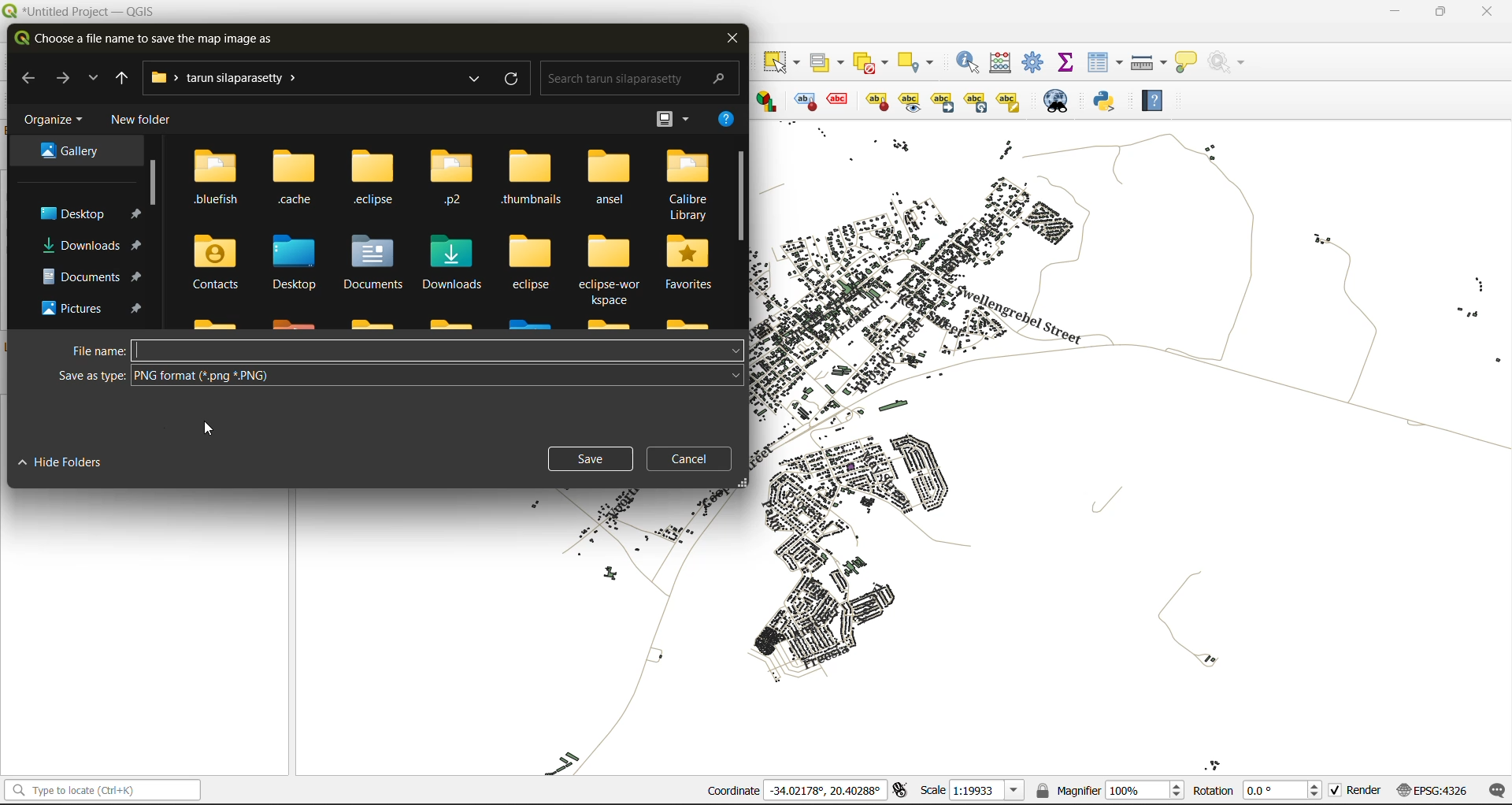 The image size is (1512, 805). I want to click on log messages, so click(1494, 788).